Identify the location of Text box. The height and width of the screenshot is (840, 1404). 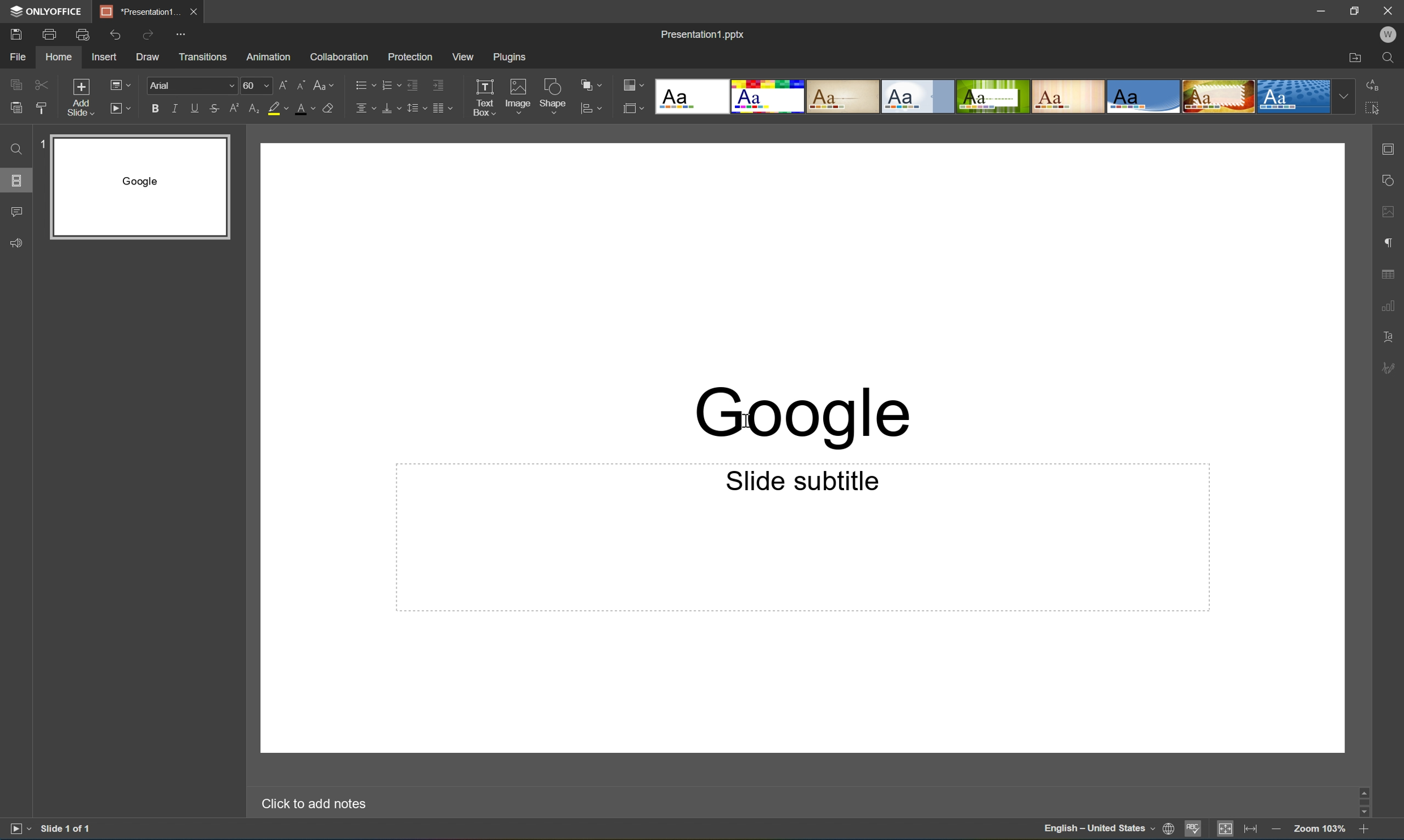
(485, 99).